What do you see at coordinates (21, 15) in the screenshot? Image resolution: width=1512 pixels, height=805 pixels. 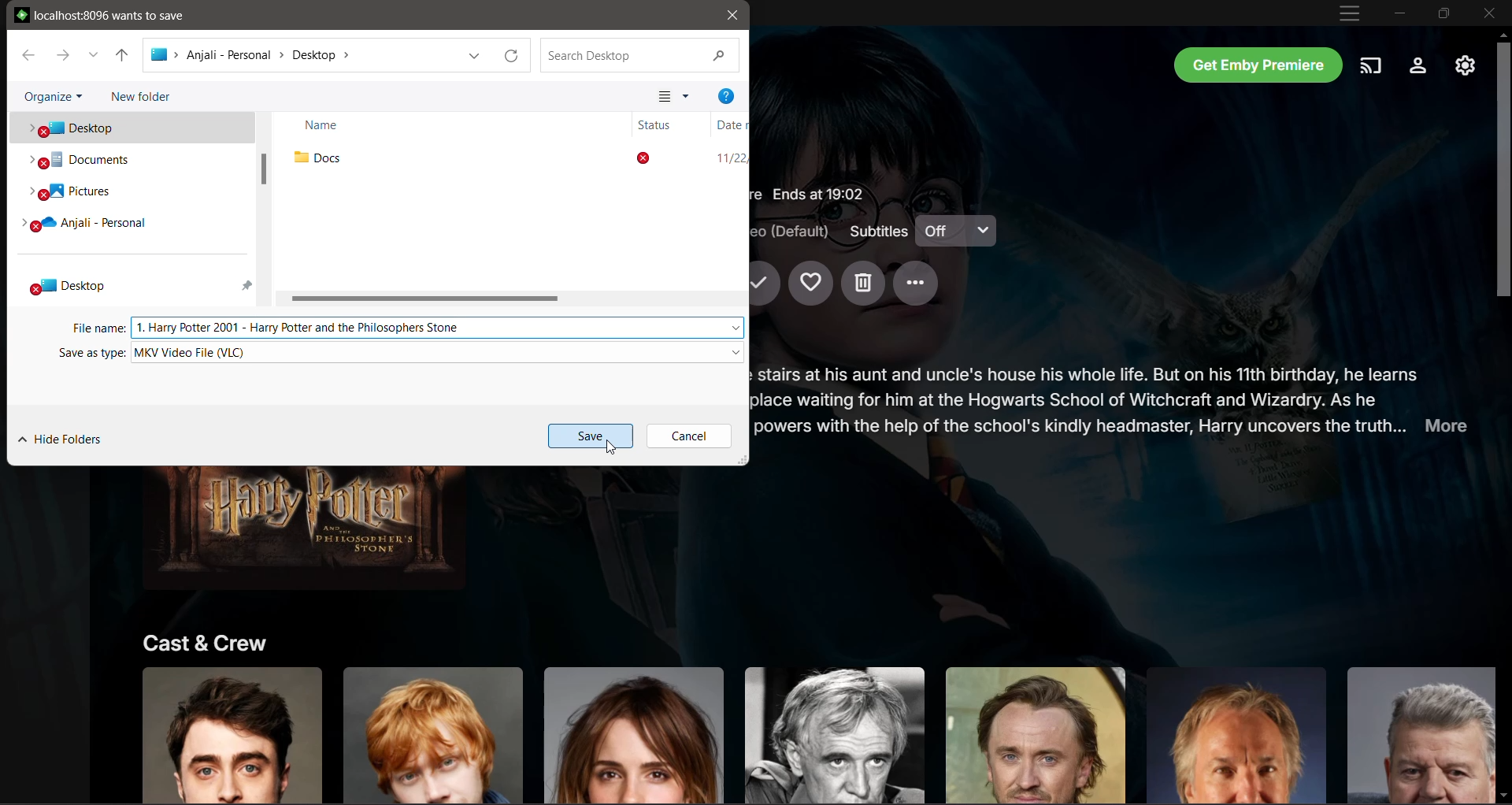 I see `Emby logo` at bounding box center [21, 15].